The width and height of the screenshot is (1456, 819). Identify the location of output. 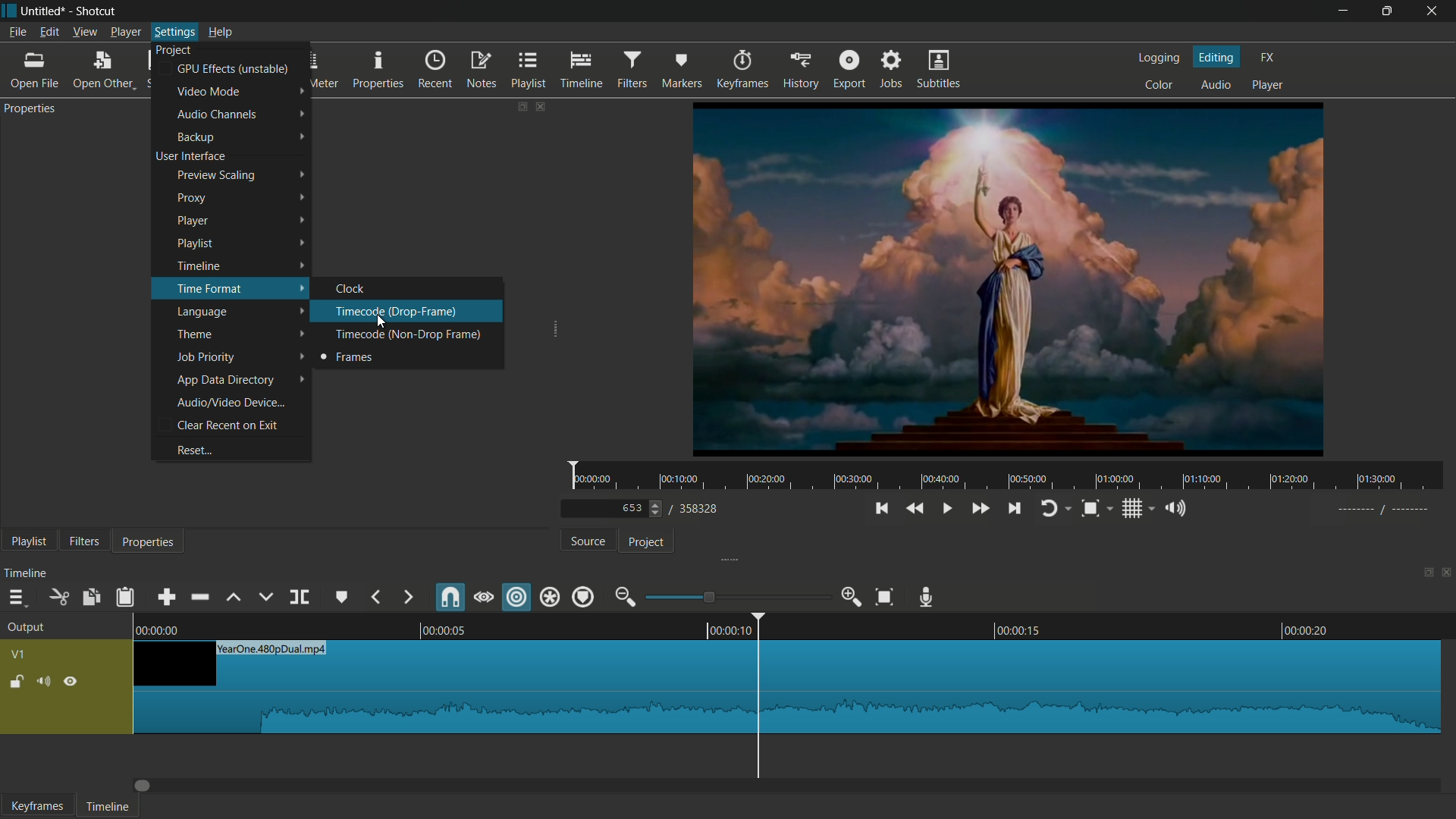
(27, 628).